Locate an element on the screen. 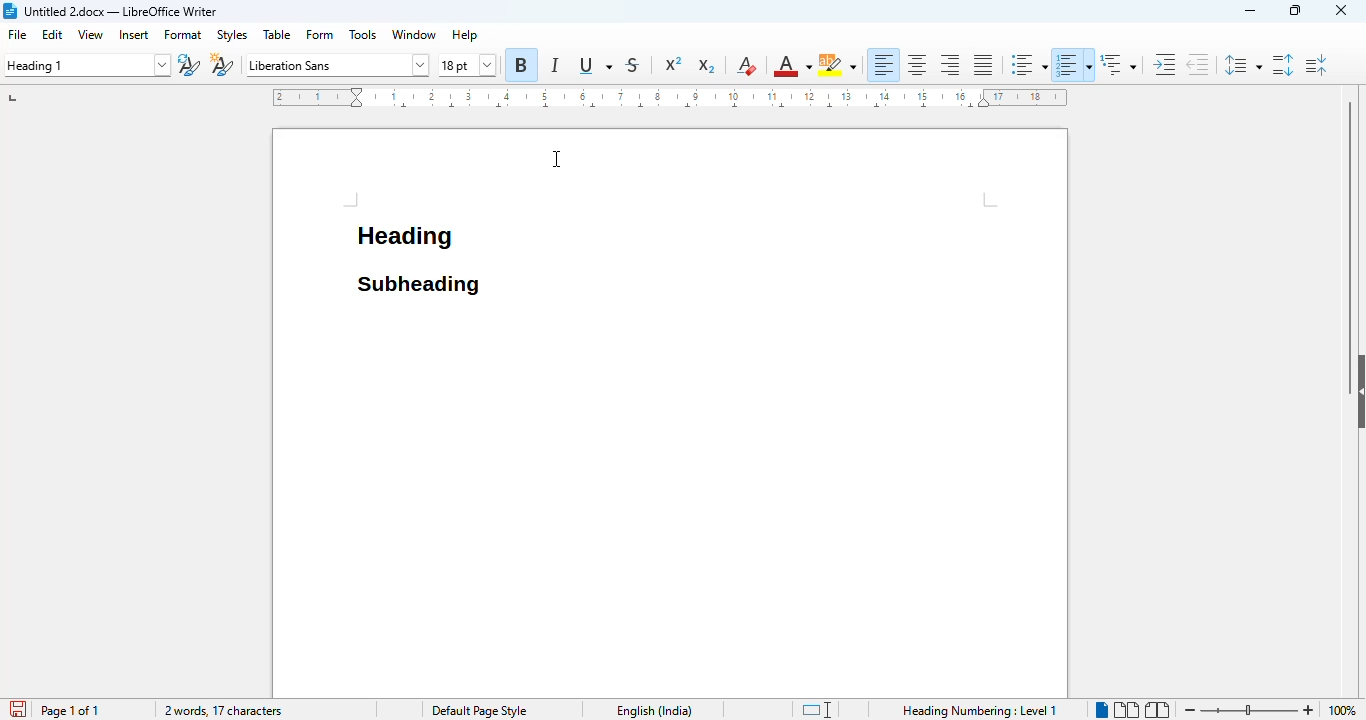  title is located at coordinates (121, 11).